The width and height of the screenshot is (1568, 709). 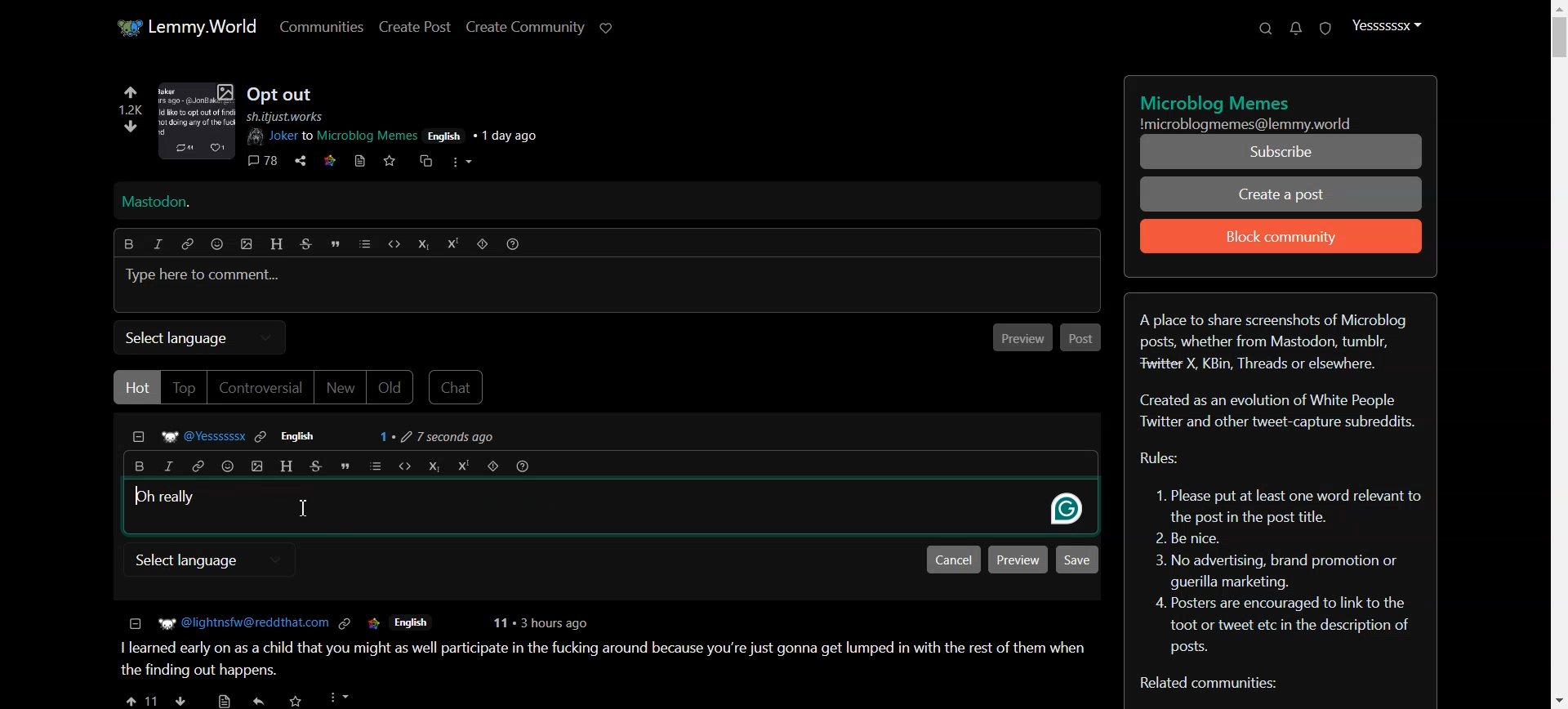 I want to click on Italic, so click(x=168, y=467).